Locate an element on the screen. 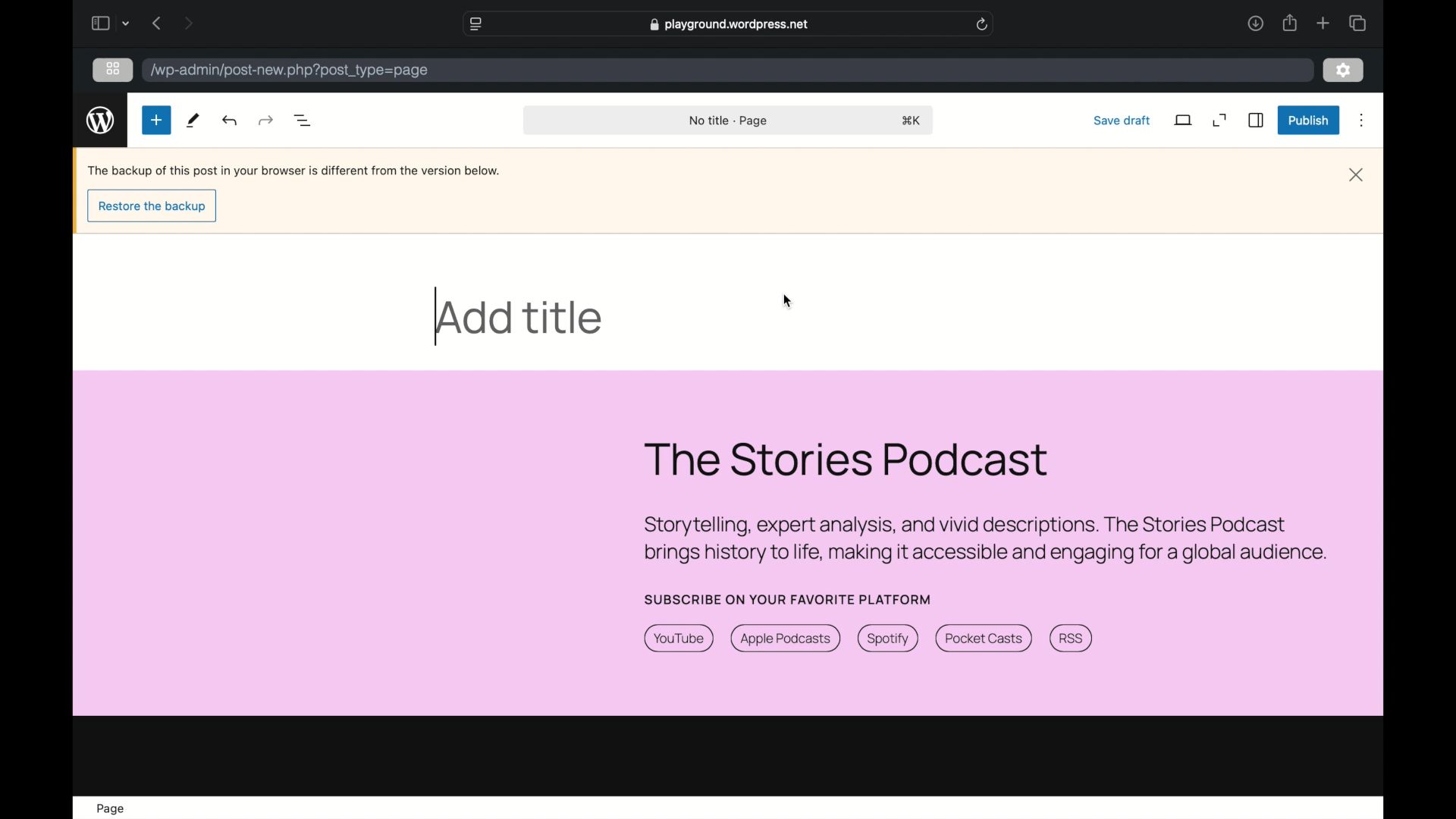  close is located at coordinates (1356, 174).